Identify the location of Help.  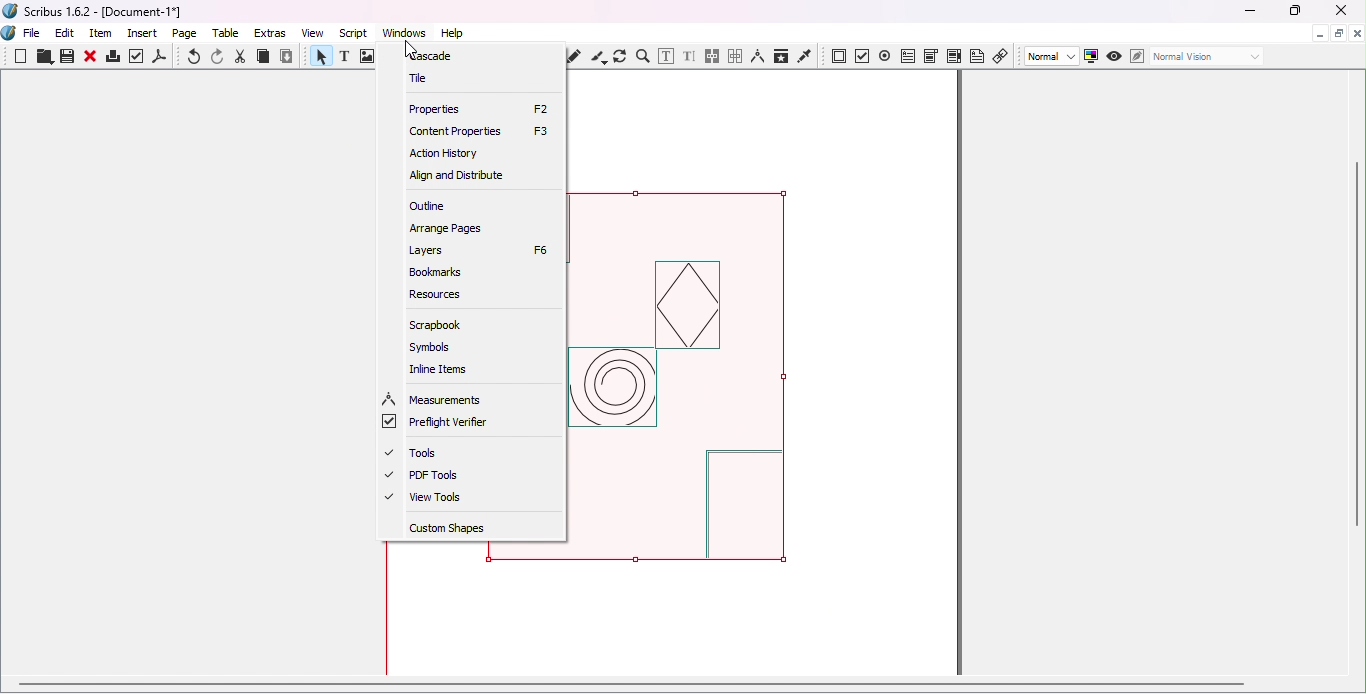
(452, 33).